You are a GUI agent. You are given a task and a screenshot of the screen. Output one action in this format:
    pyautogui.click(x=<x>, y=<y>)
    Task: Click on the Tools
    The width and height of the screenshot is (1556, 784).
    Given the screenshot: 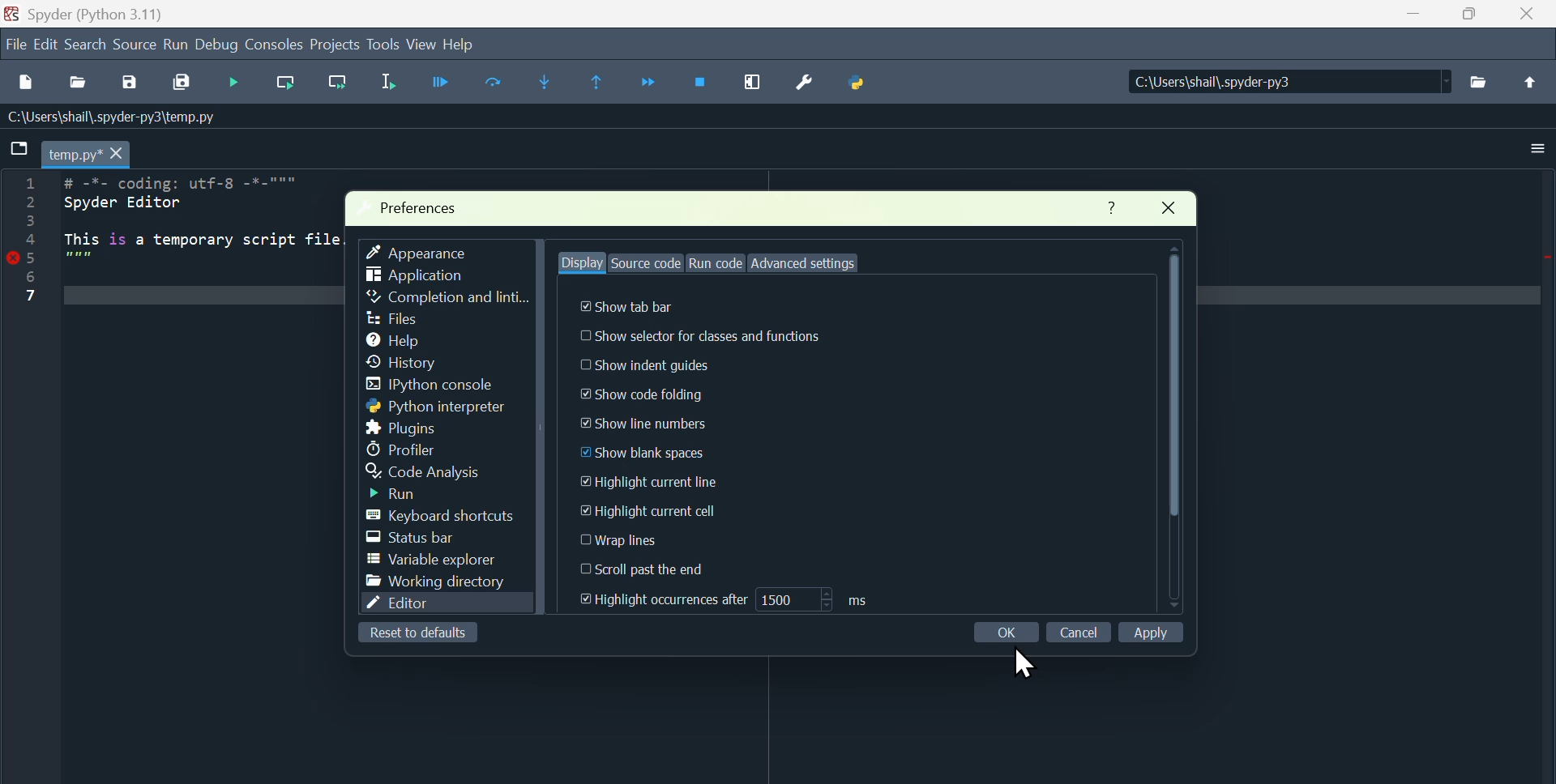 What is the action you would take?
    pyautogui.click(x=383, y=45)
    